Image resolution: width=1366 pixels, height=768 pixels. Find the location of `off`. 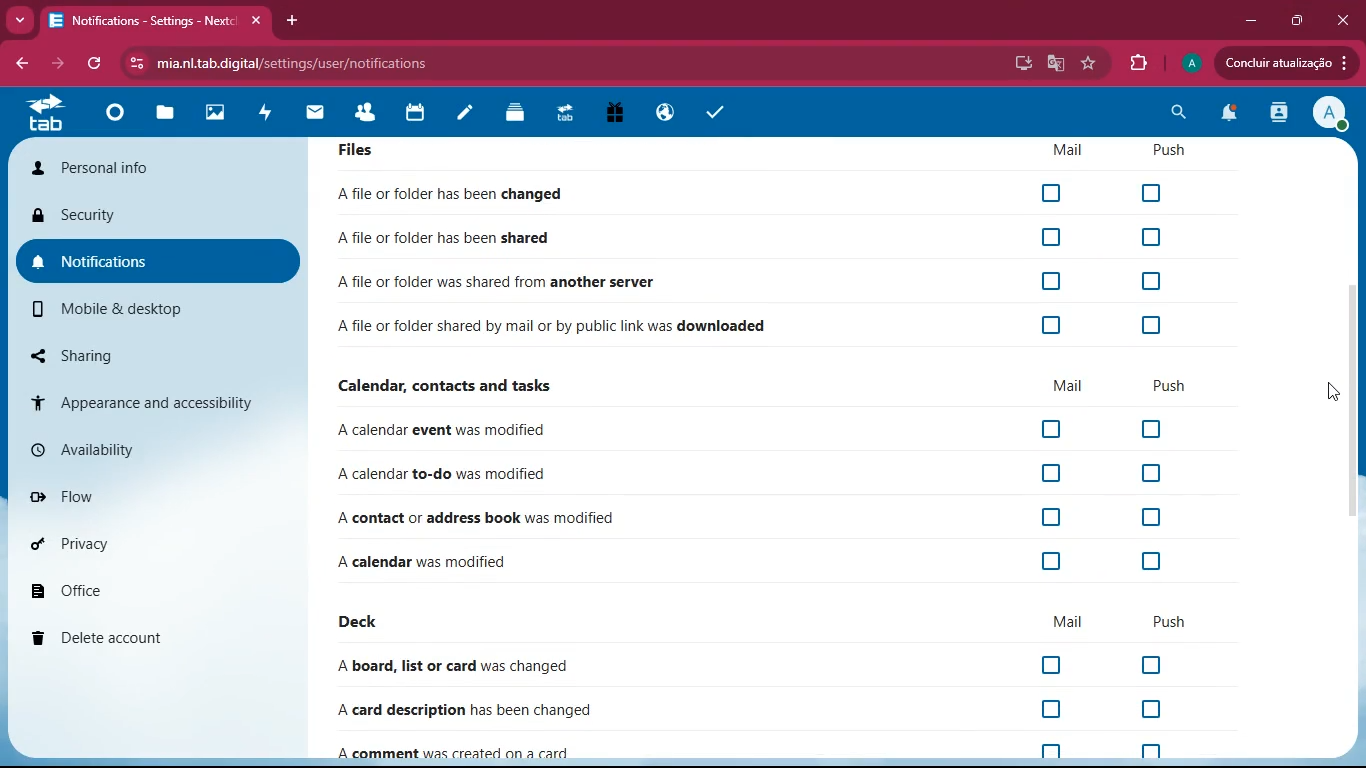

off is located at coordinates (1152, 517).